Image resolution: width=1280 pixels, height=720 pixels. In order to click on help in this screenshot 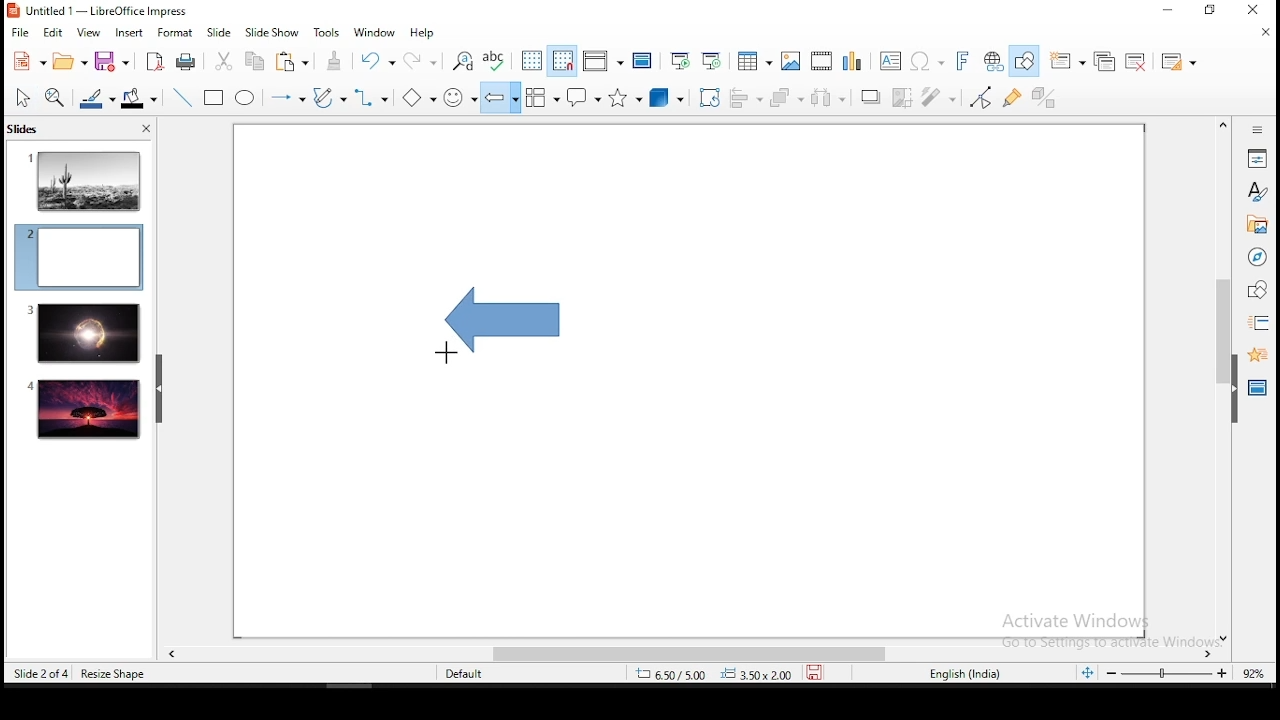, I will do `click(424, 33)`.